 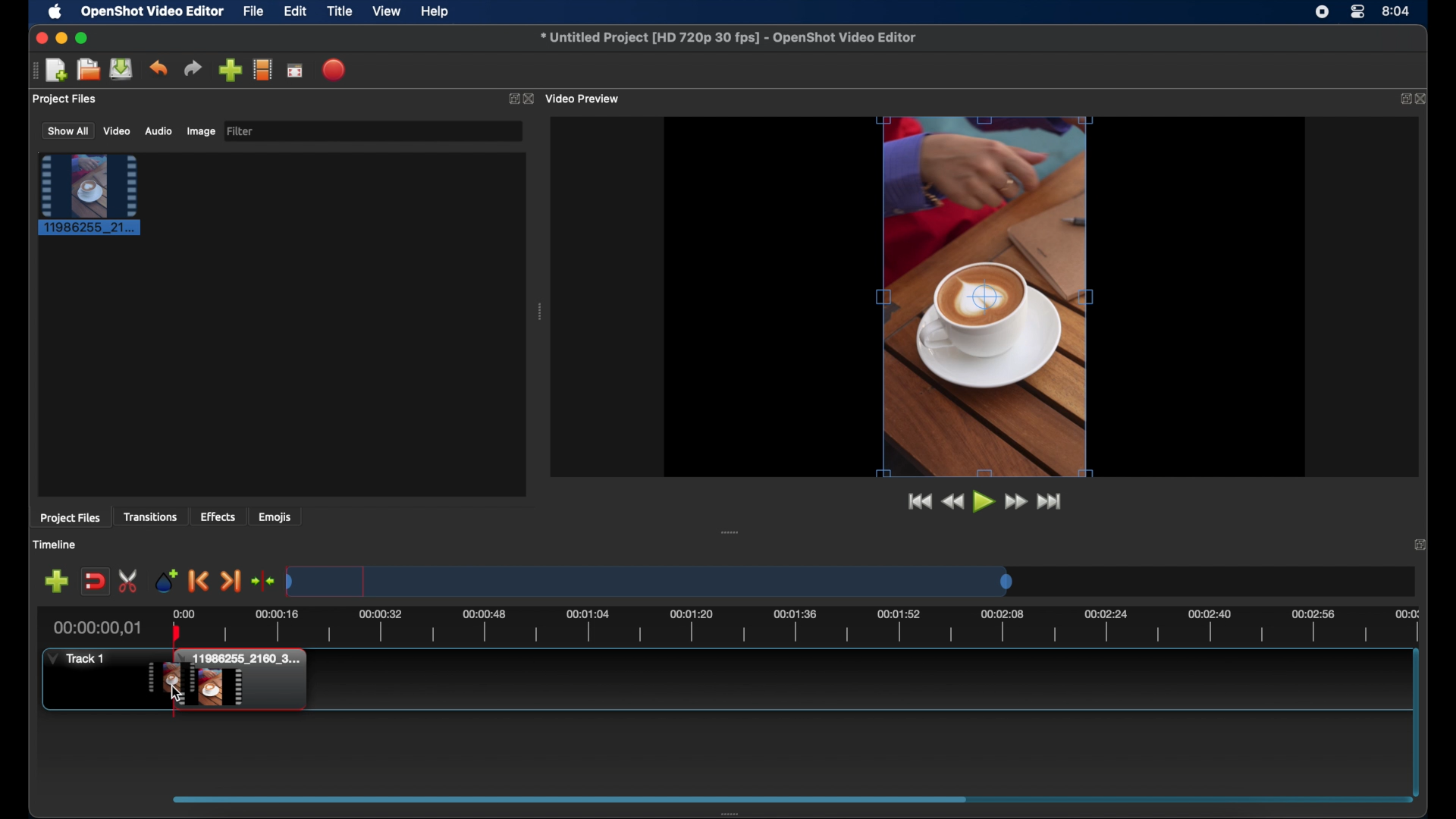 I want to click on import files, so click(x=229, y=71).